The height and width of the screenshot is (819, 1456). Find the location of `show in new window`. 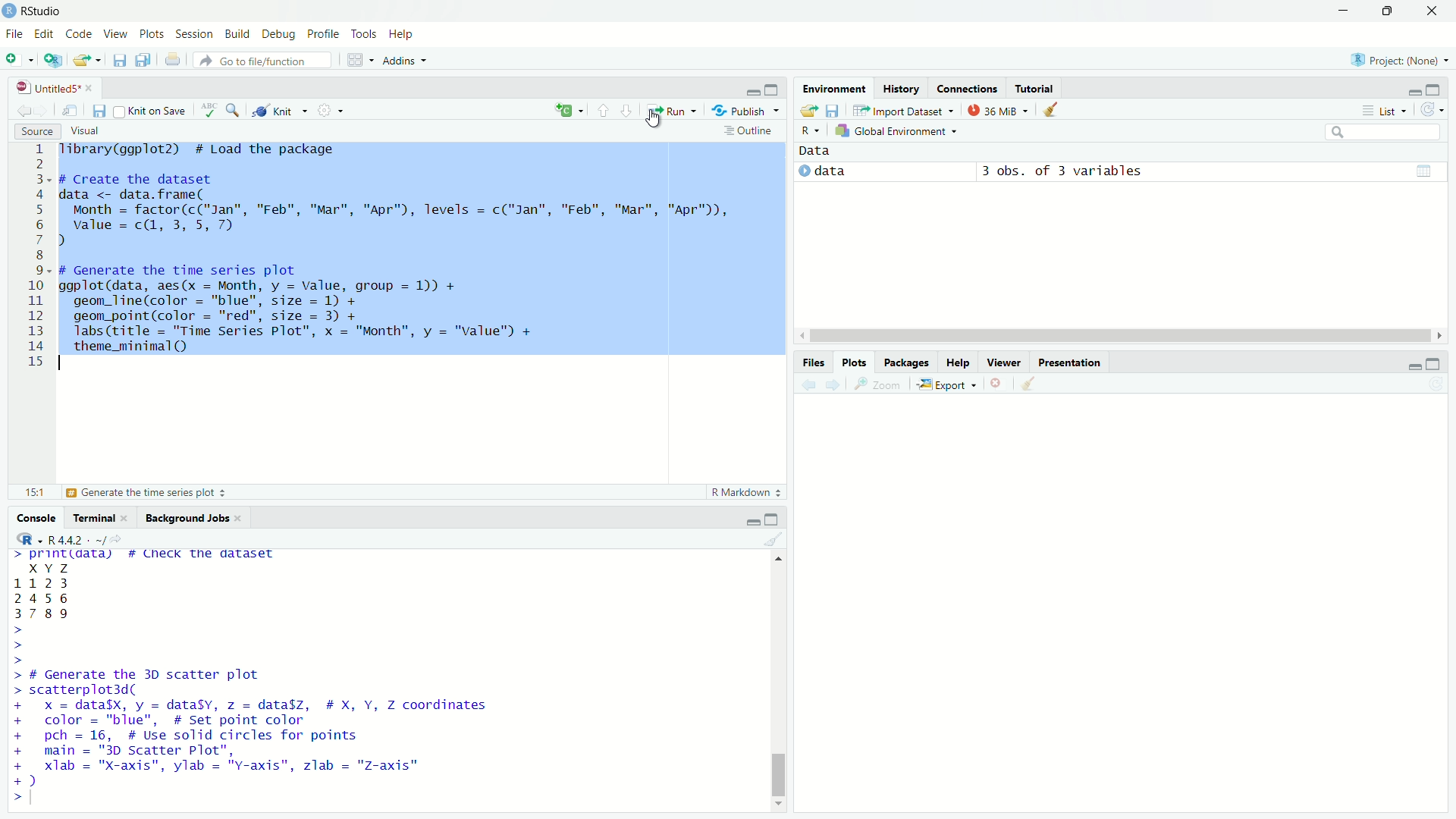

show in new window is located at coordinates (73, 108).